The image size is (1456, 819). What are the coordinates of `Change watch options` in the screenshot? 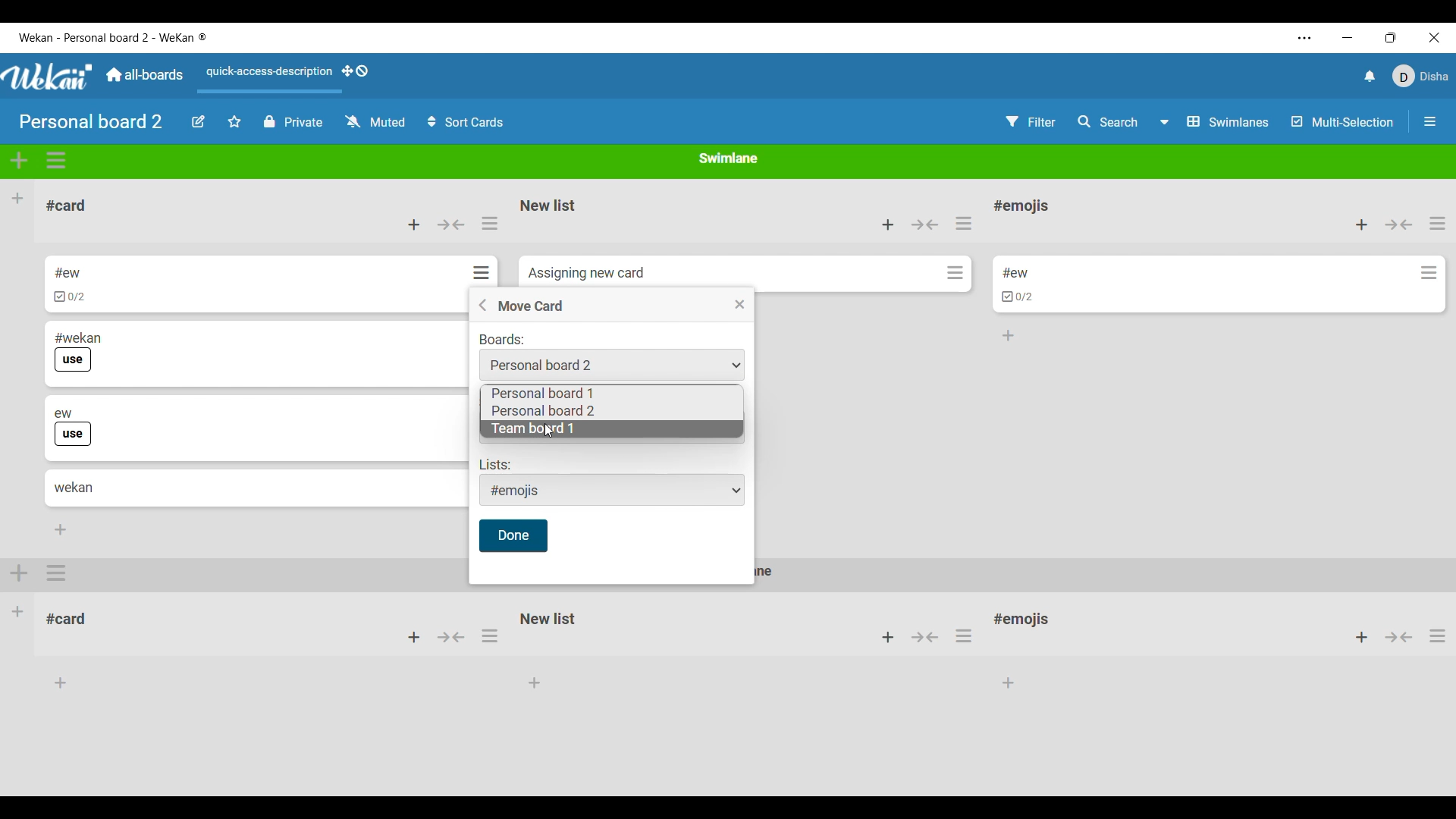 It's located at (375, 121).